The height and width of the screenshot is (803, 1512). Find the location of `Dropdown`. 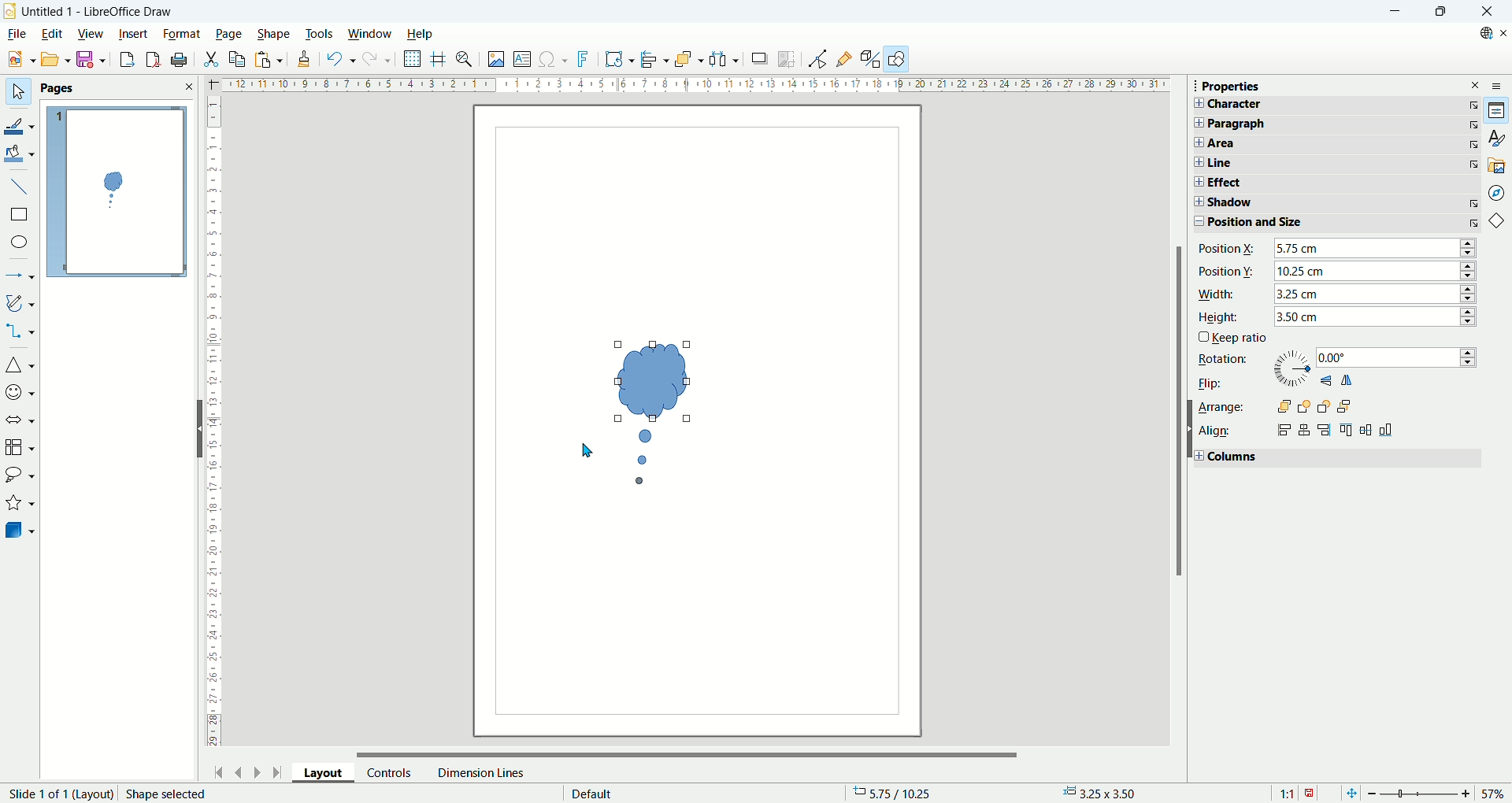

Dropdown is located at coordinates (1376, 248).